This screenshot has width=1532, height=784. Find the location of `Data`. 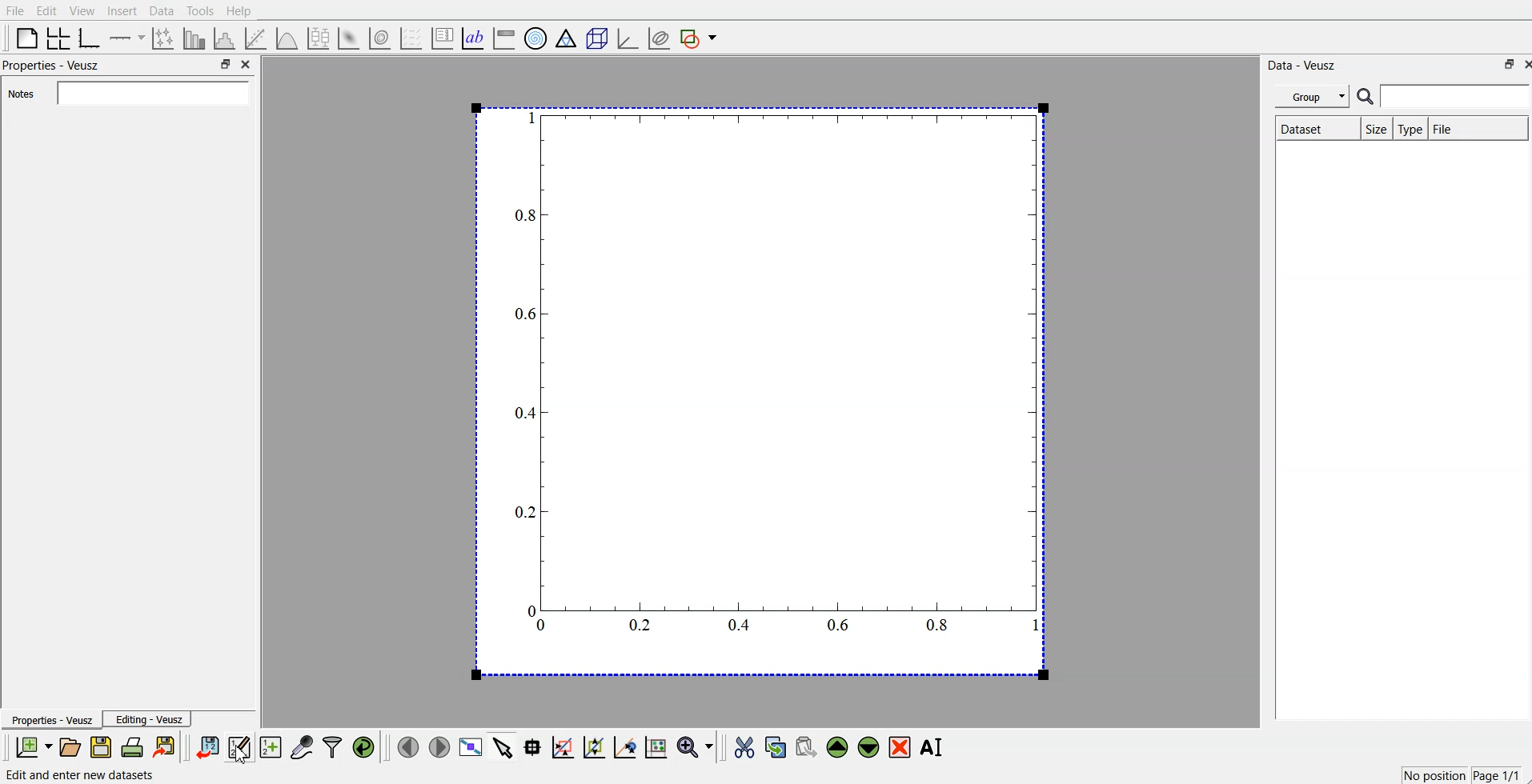

Data is located at coordinates (162, 11).